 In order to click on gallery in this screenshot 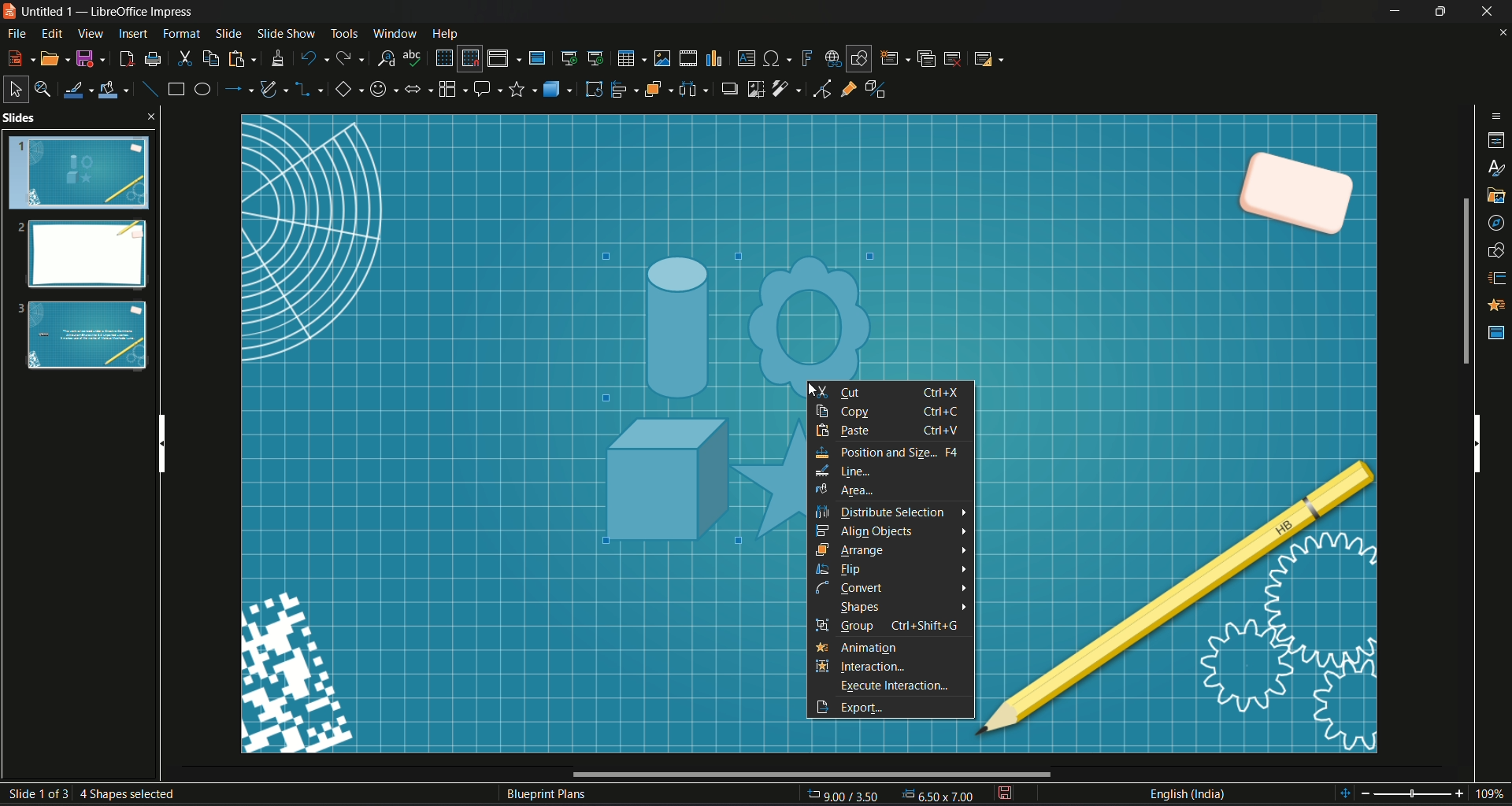, I will do `click(1497, 196)`.